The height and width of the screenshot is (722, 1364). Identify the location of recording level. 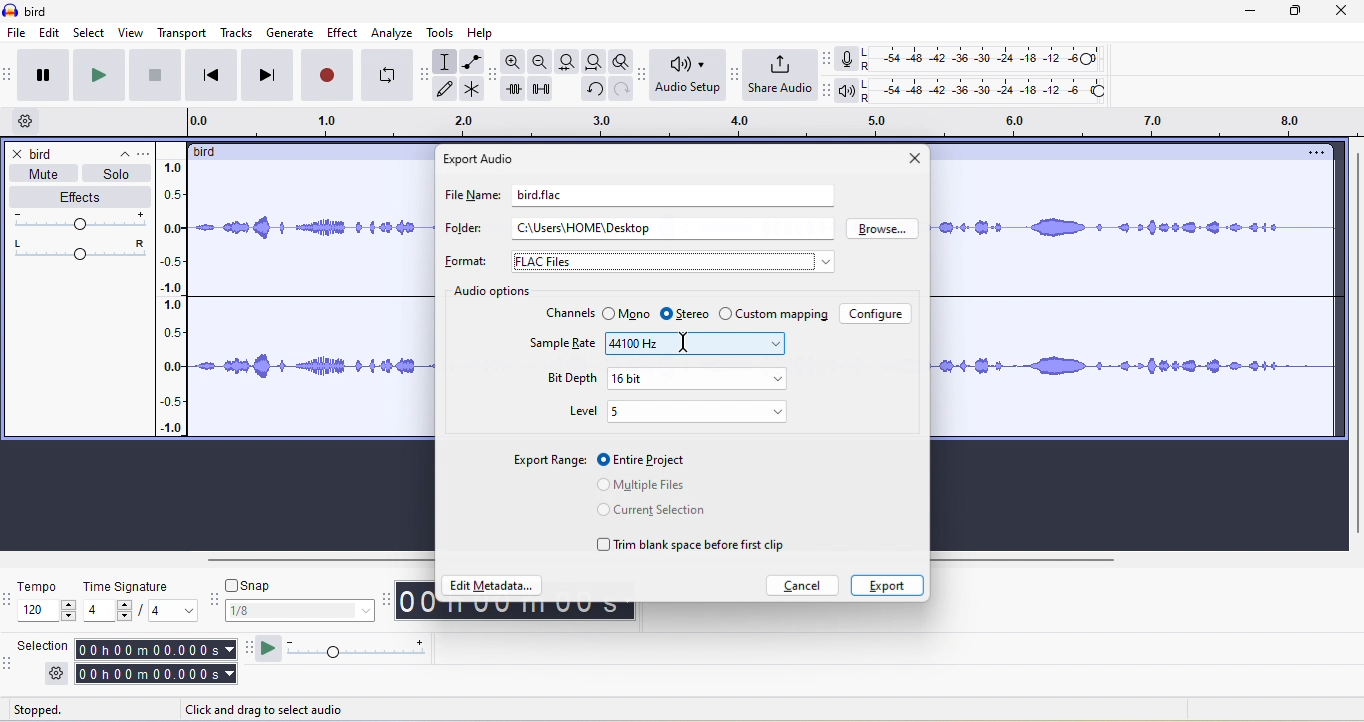
(995, 57).